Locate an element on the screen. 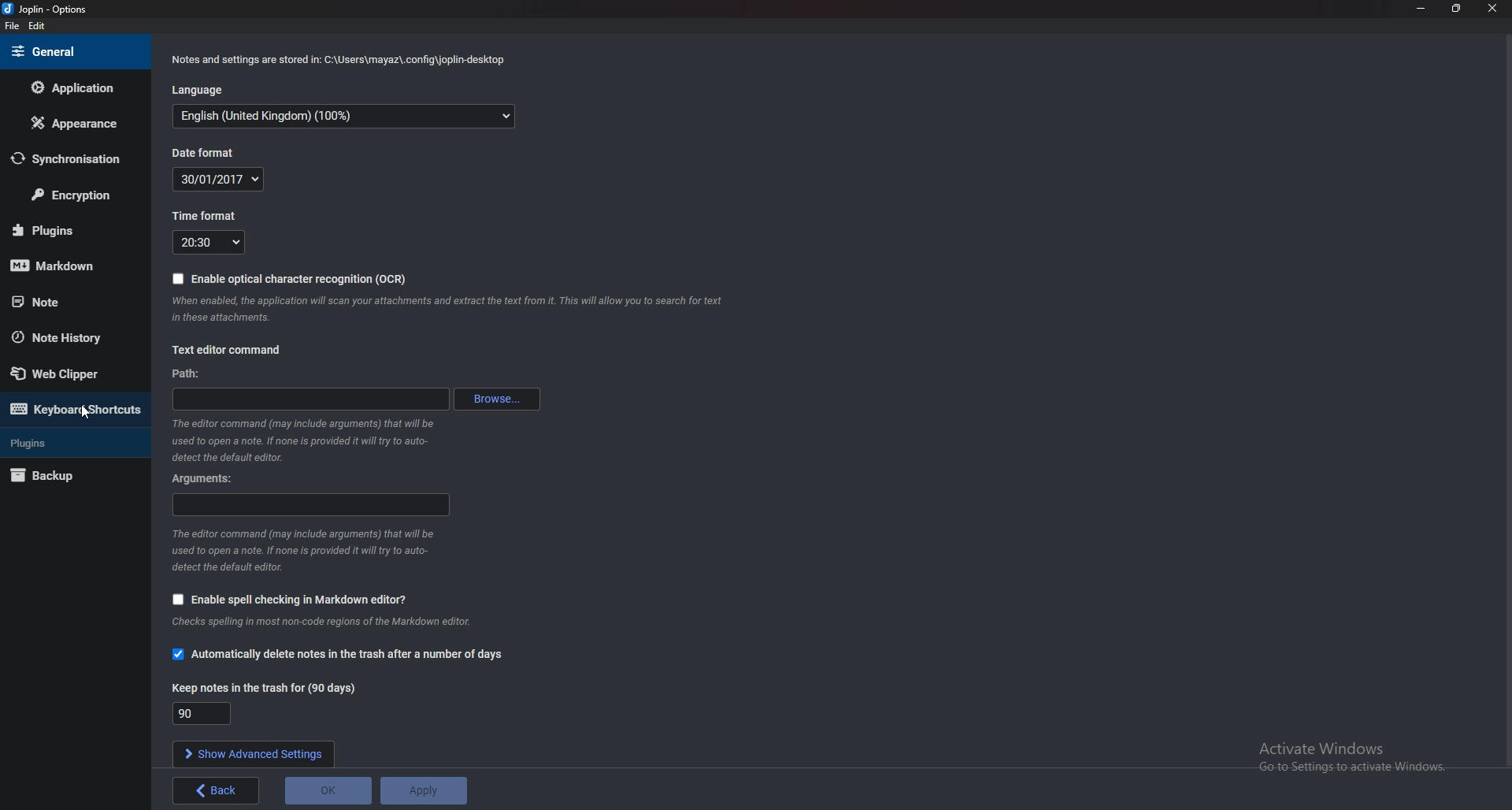  Arguments is located at coordinates (310, 504).